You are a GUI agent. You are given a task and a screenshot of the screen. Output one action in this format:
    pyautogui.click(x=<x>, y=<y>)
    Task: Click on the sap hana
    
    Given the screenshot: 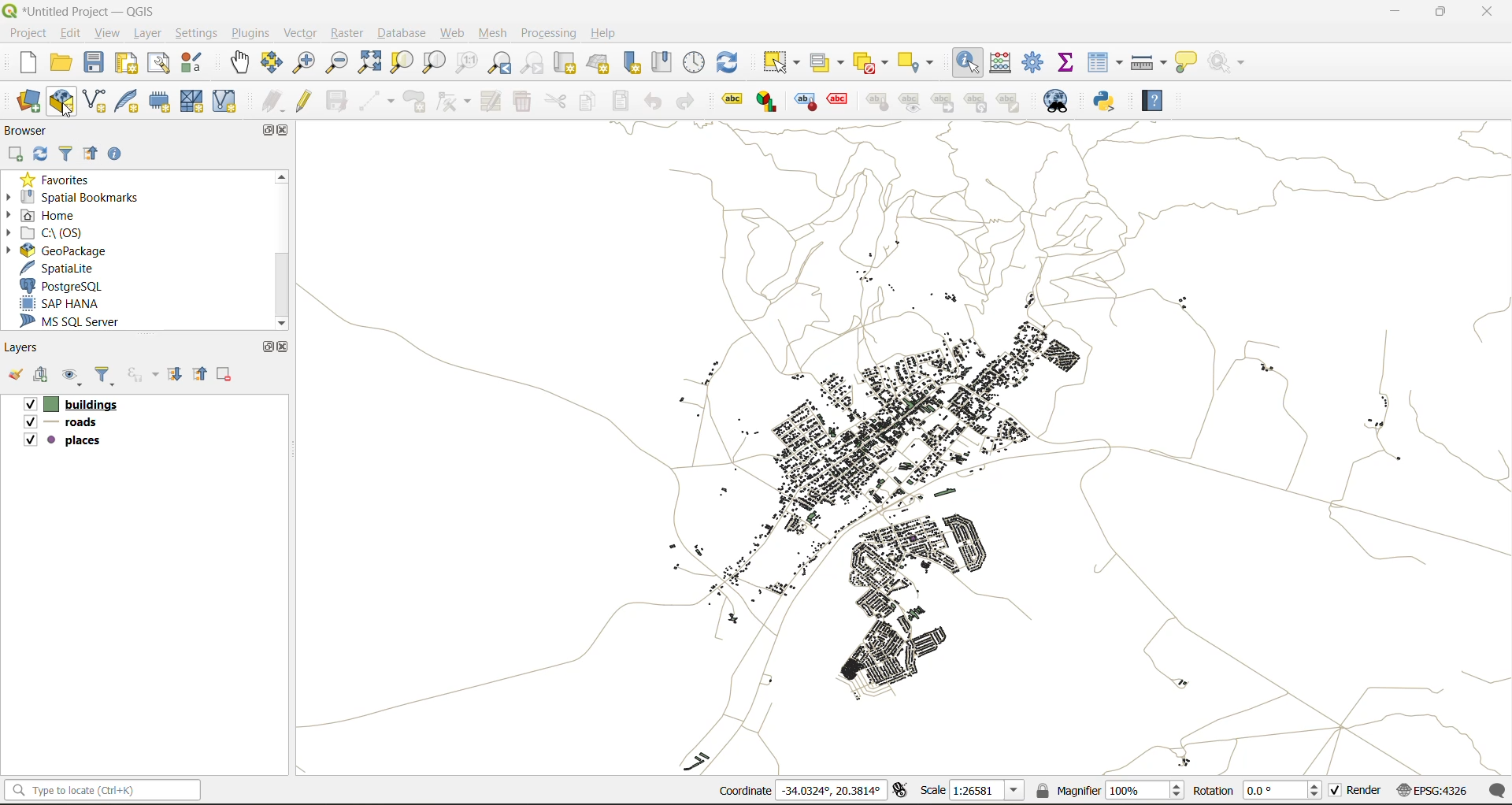 What is the action you would take?
    pyautogui.click(x=74, y=304)
    